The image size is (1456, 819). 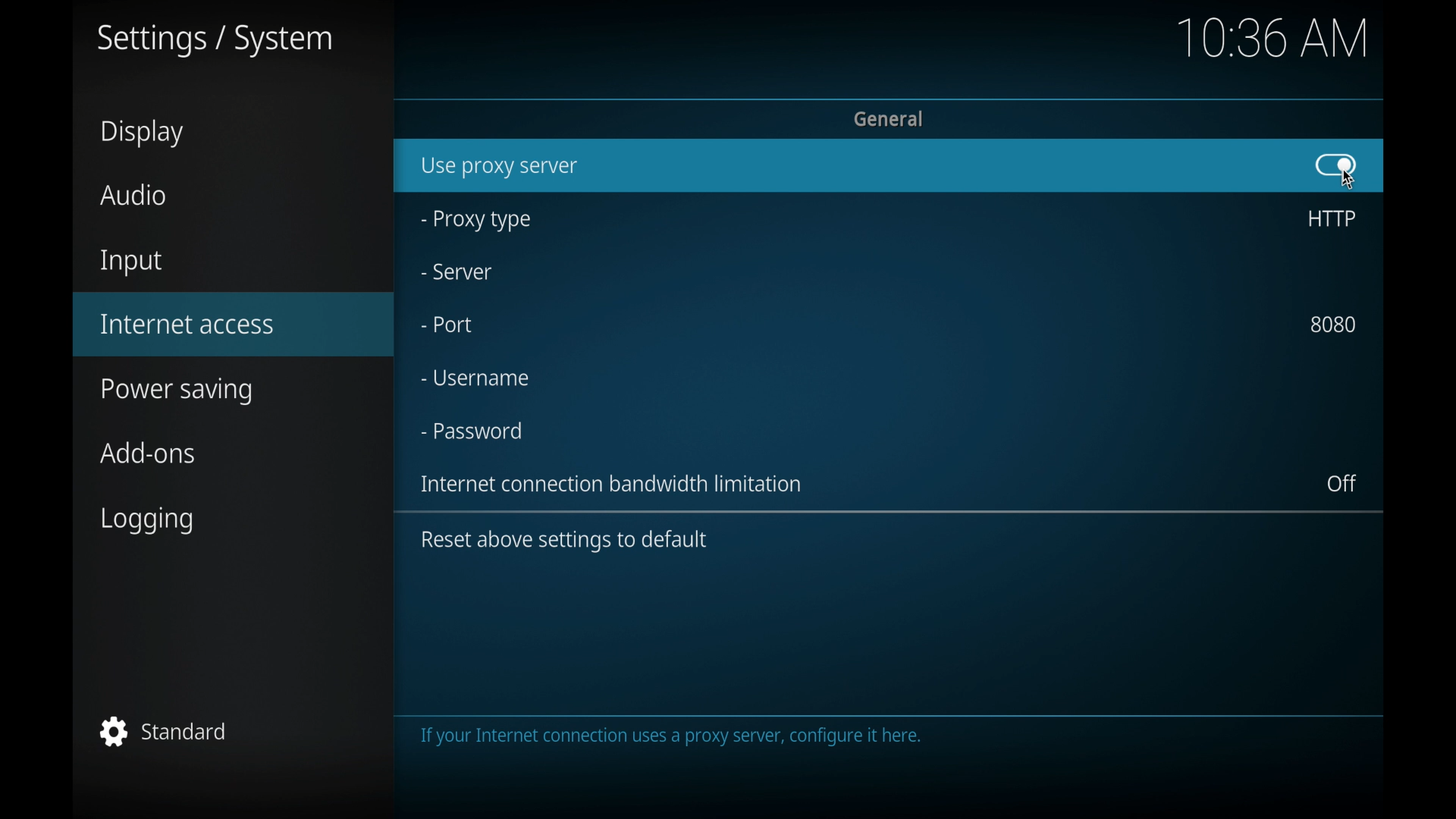 I want to click on general, so click(x=890, y=118).